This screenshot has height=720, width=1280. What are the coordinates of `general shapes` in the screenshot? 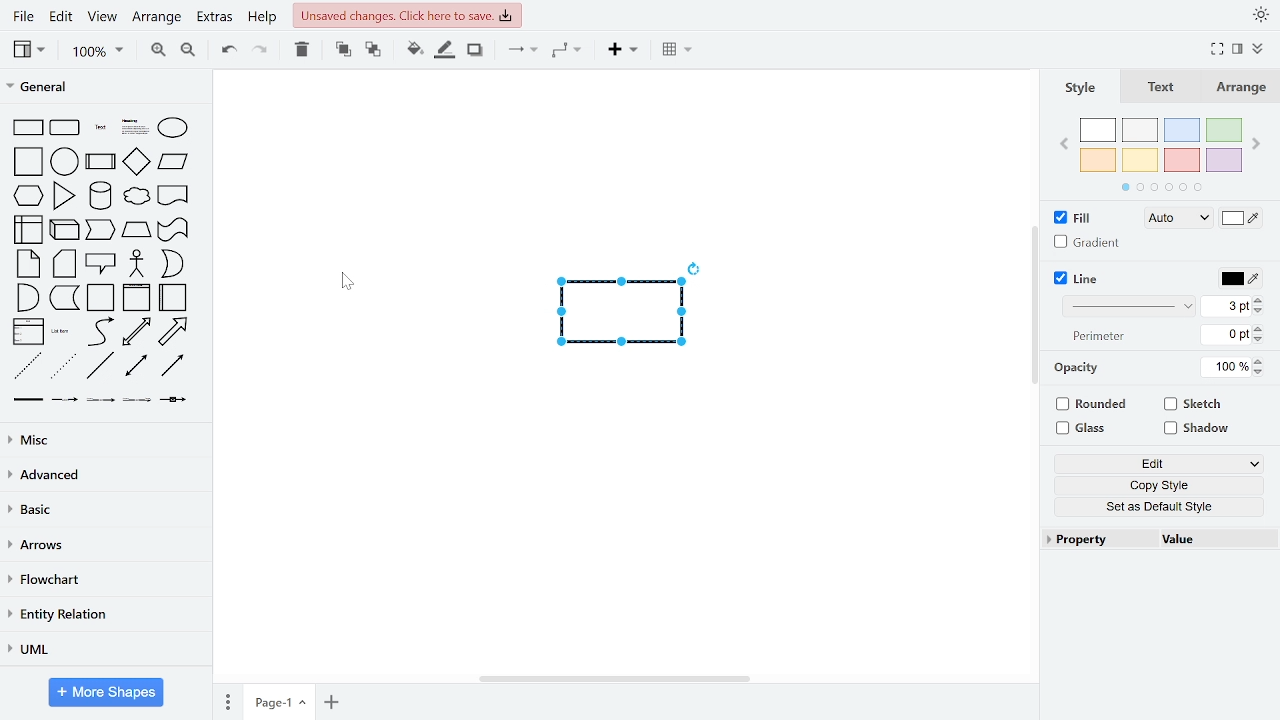 It's located at (135, 331).